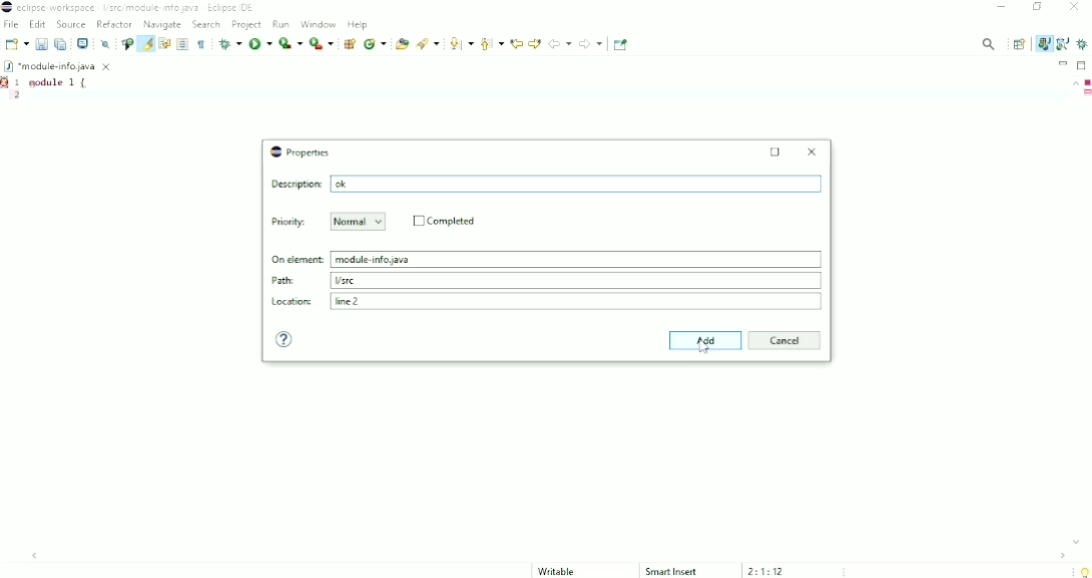 The height and width of the screenshot is (578, 1092). Describe the element at coordinates (1003, 8) in the screenshot. I see `Minimize` at that location.